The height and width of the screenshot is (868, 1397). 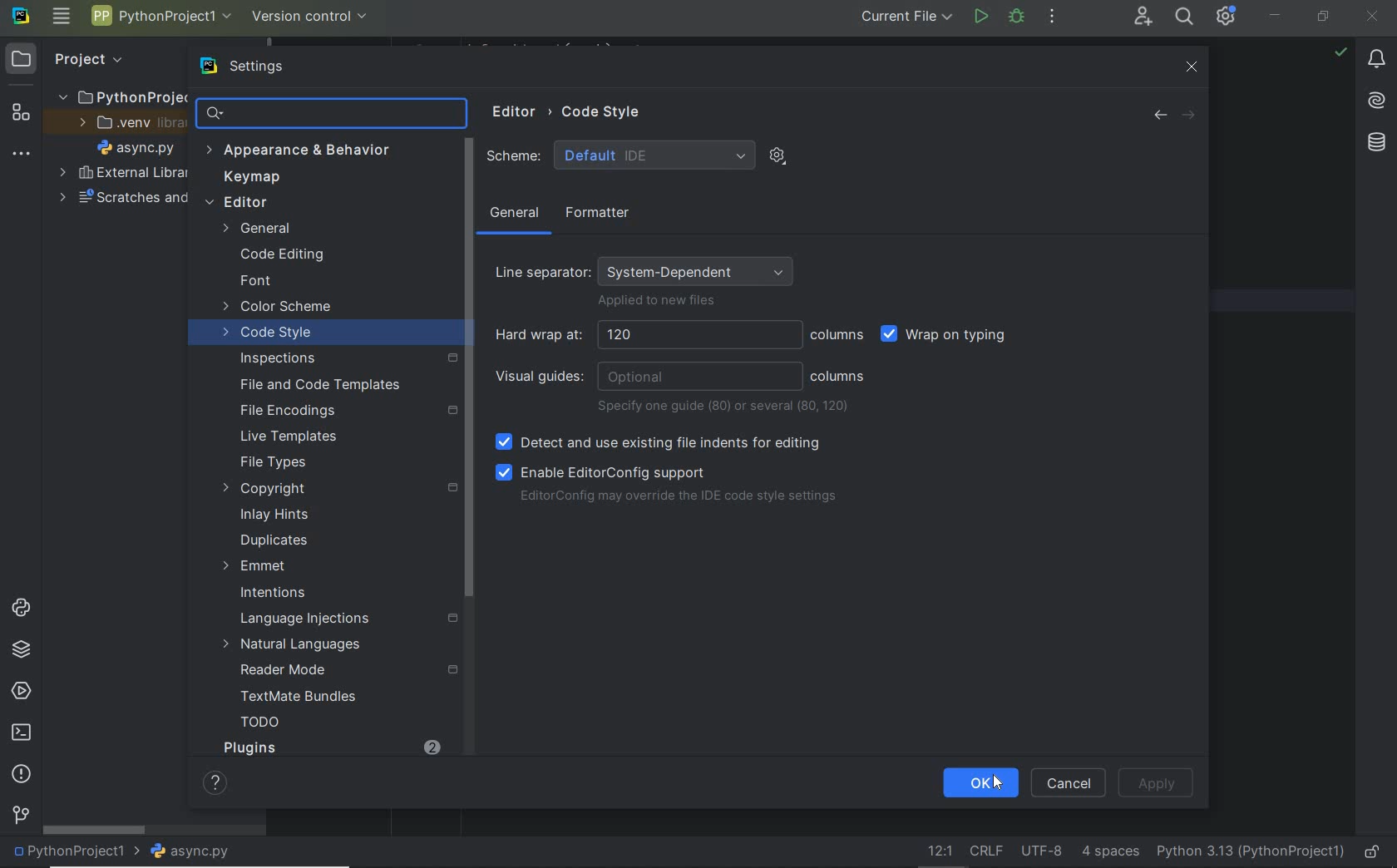 What do you see at coordinates (269, 335) in the screenshot?
I see `code style` at bounding box center [269, 335].